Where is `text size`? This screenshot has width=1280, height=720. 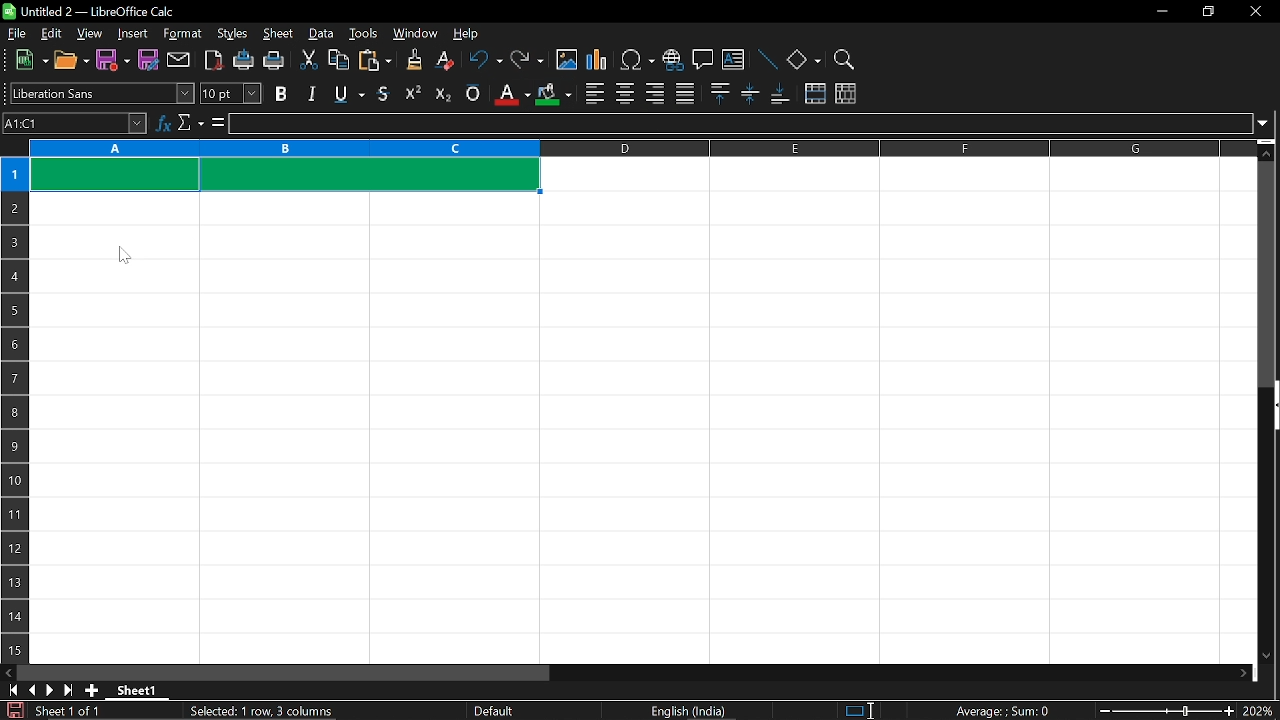 text size is located at coordinates (231, 93).